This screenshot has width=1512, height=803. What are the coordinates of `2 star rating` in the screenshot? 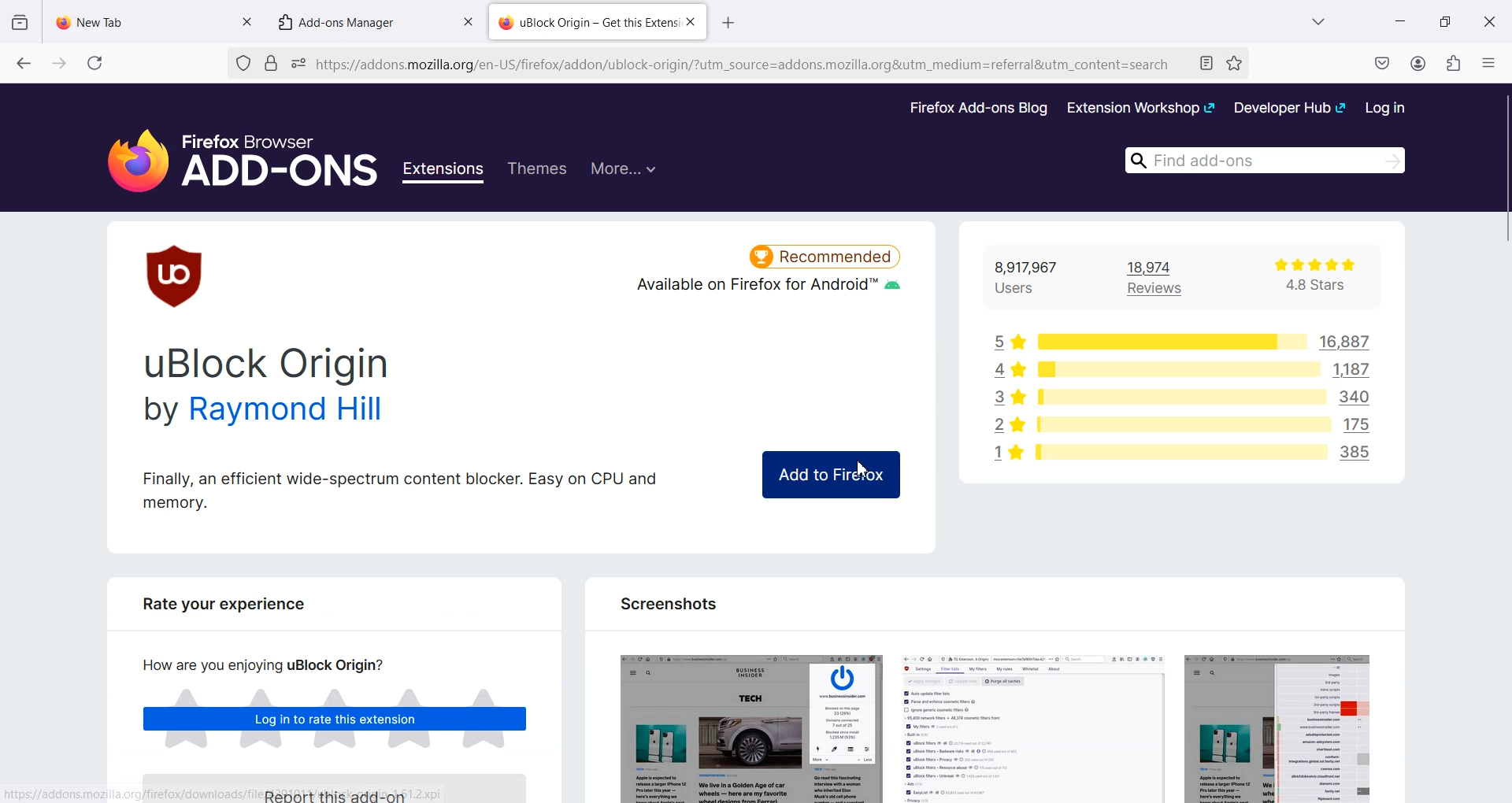 It's located at (1008, 426).